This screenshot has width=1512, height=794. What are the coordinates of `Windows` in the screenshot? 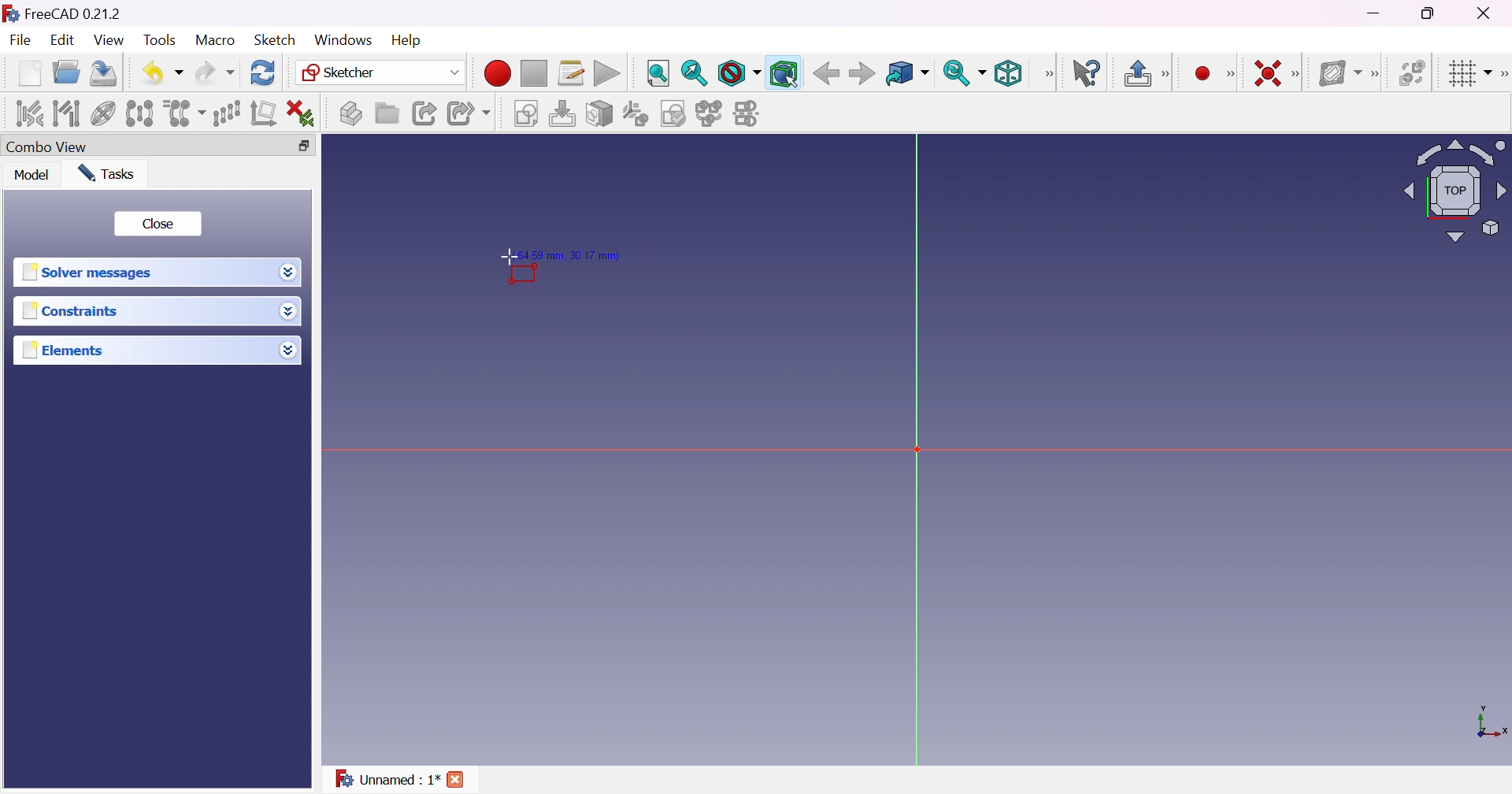 It's located at (343, 40).